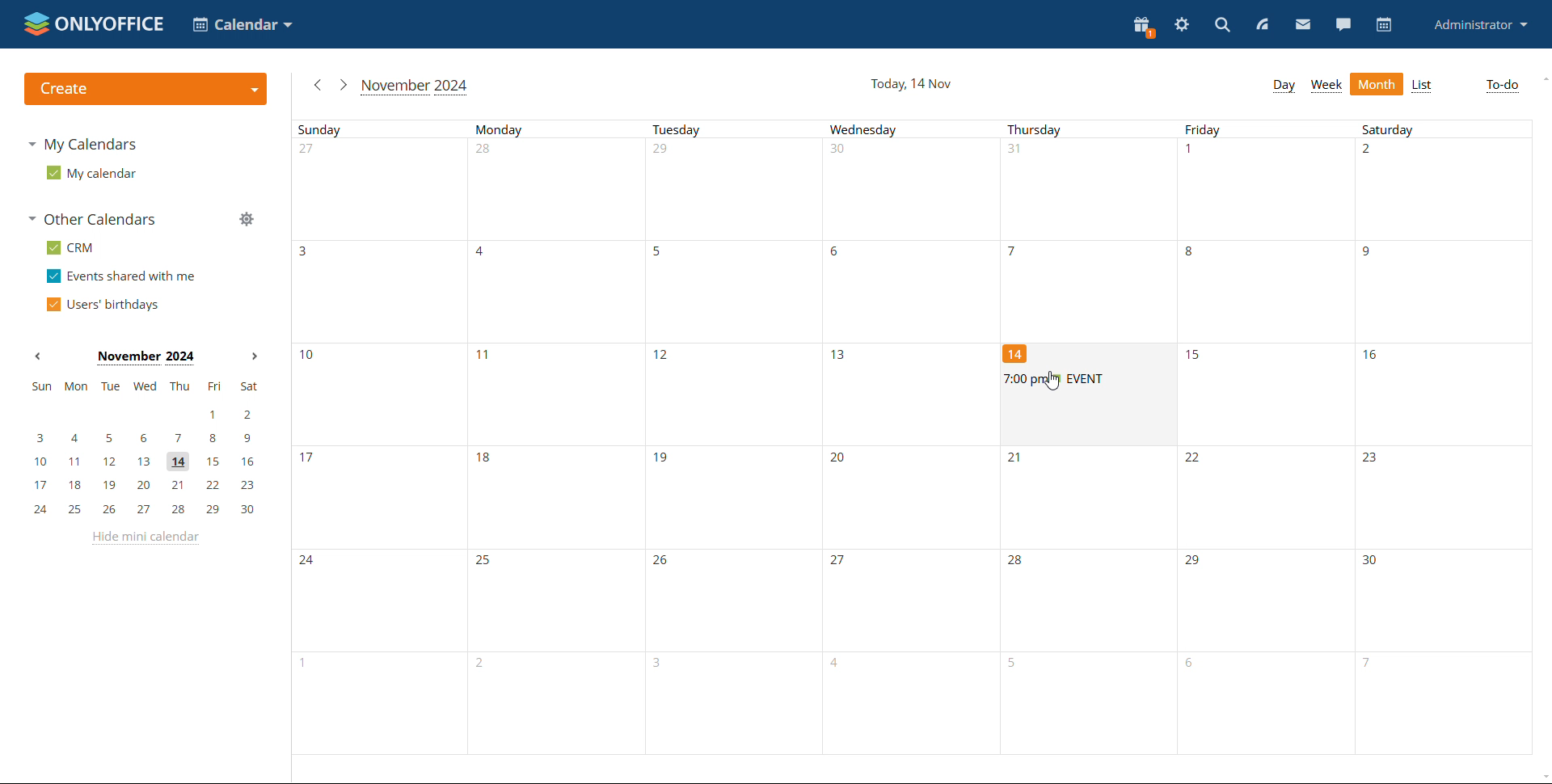 This screenshot has width=1552, height=784. What do you see at coordinates (1194, 152) in the screenshot?
I see `number` at bounding box center [1194, 152].